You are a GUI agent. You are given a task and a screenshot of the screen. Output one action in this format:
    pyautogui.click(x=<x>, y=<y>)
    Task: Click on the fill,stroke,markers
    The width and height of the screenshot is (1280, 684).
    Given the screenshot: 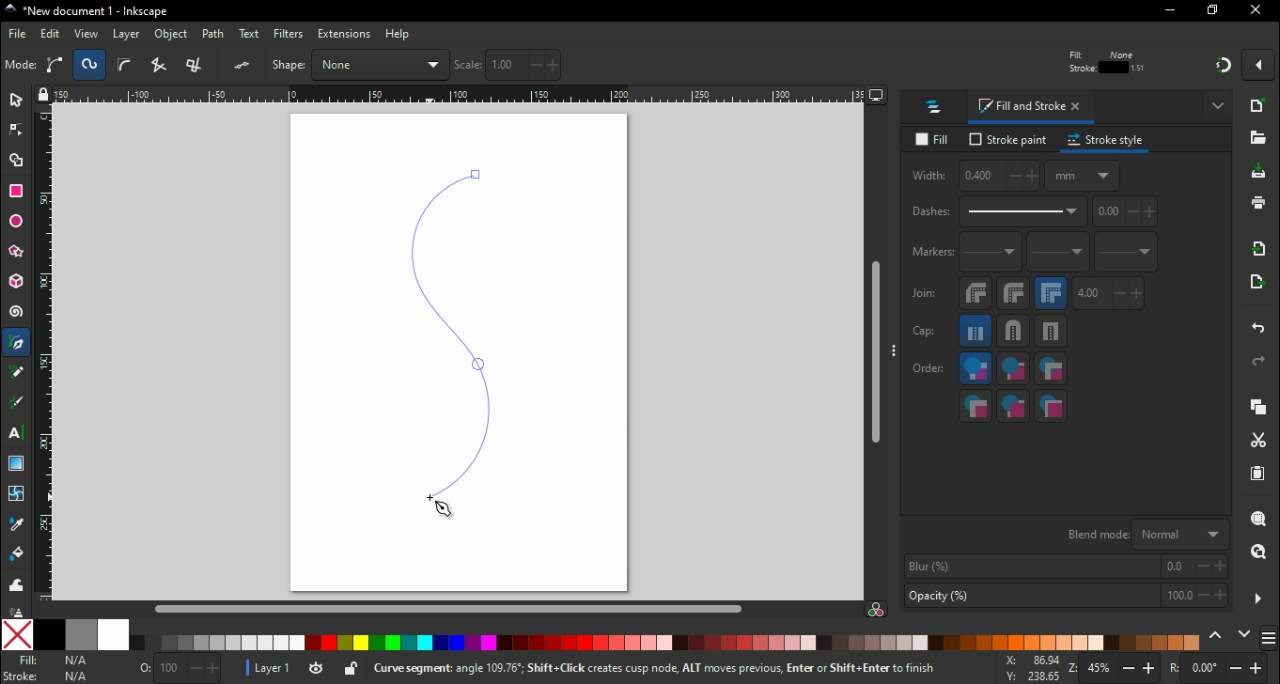 What is the action you would take?
    pyautogui.click(x=975, y=371)
    